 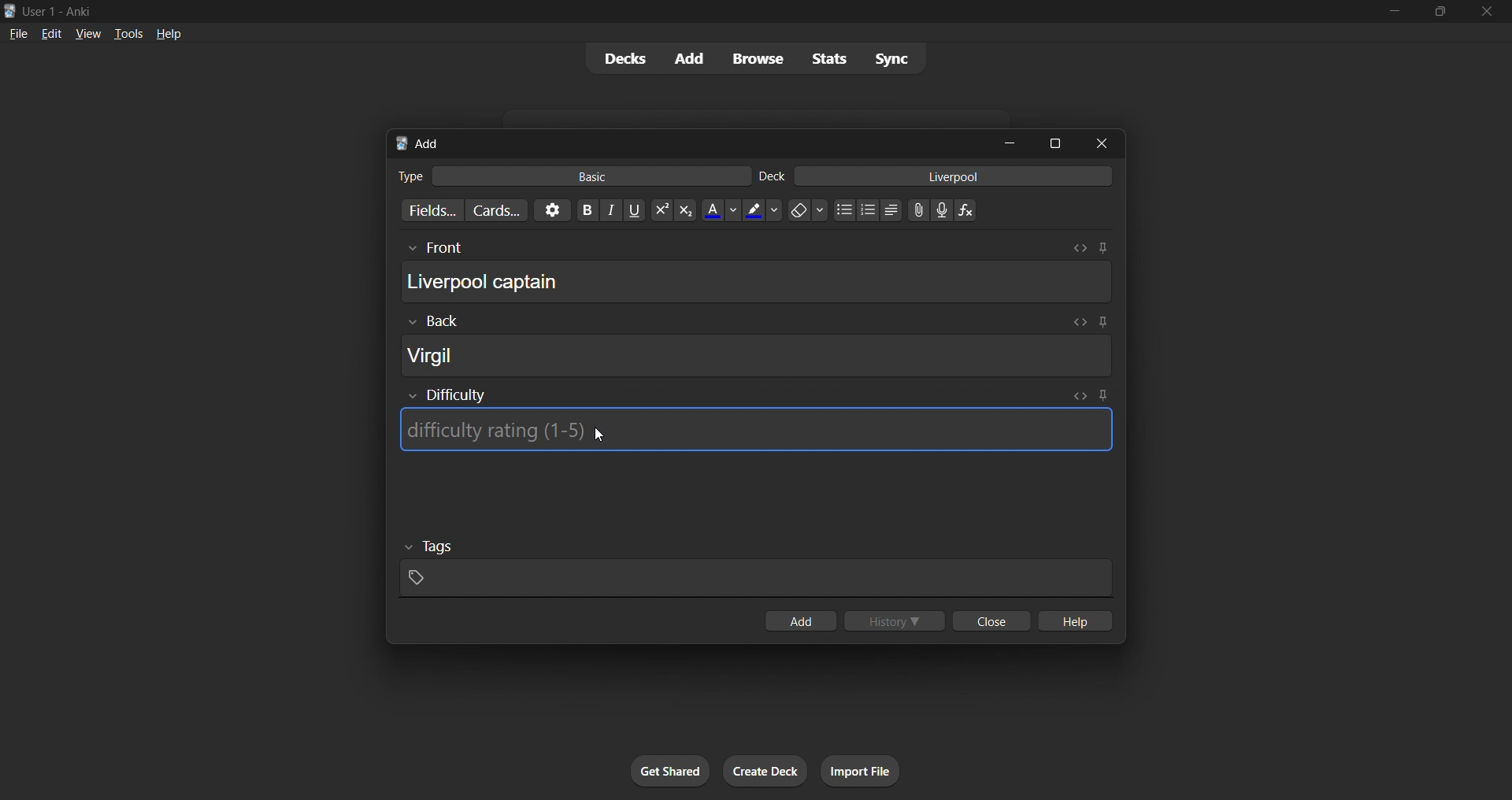 What do you see at coordinates (891, 57) in the screenshot?
I see `sync` at bounding box center [891, 57].